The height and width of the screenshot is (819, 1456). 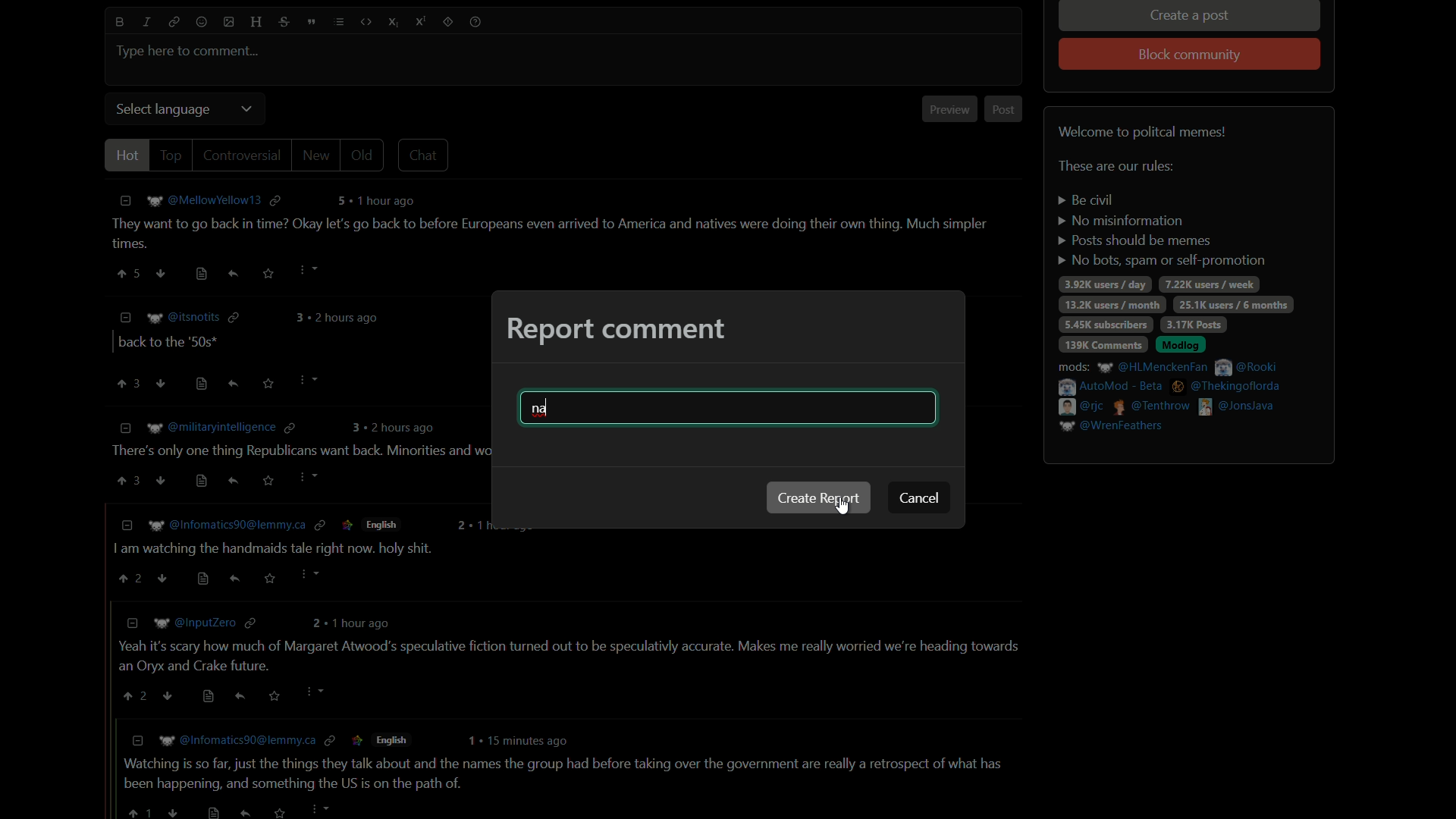 What do you see at coordinates (128, 382) in the screenshot?
I see `upvote` at bounding box center [128, 382].